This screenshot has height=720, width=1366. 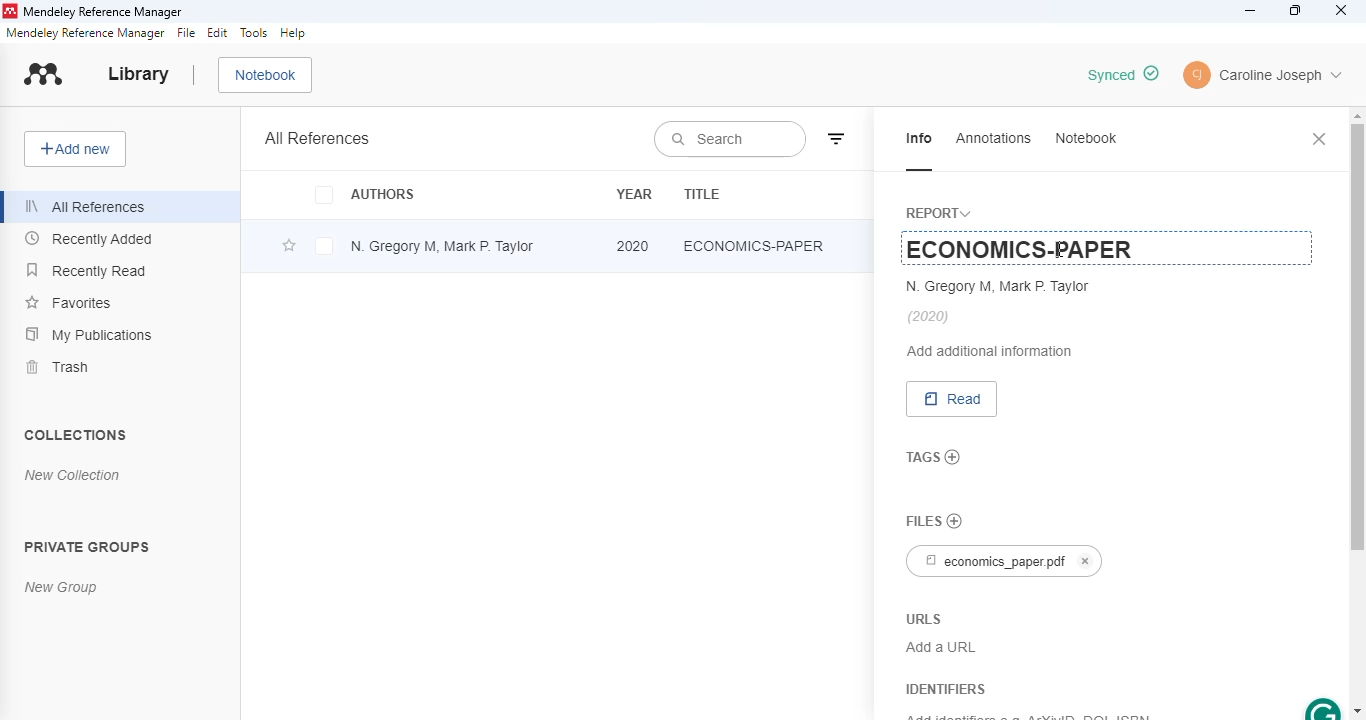 I want to click on edit is synced & saved, so click(x=1124, y=75).